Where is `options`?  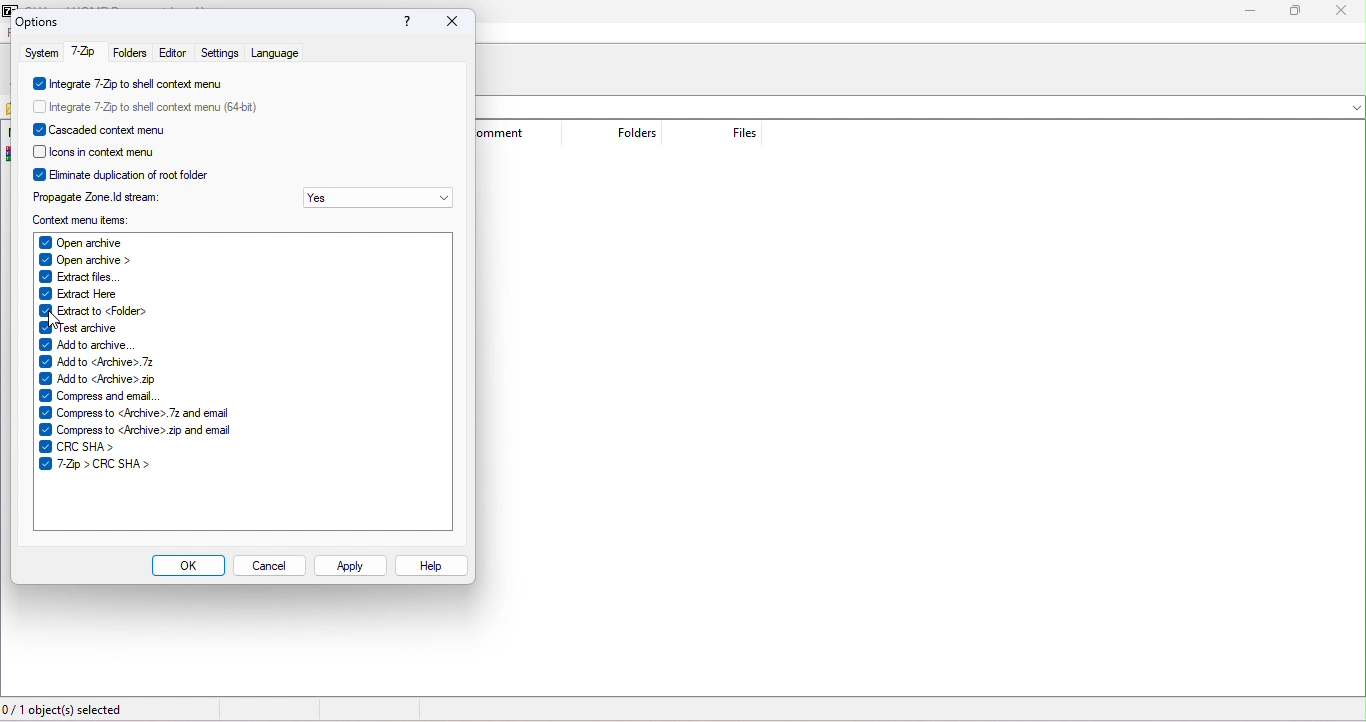
options is located at coordinates (40, 22).